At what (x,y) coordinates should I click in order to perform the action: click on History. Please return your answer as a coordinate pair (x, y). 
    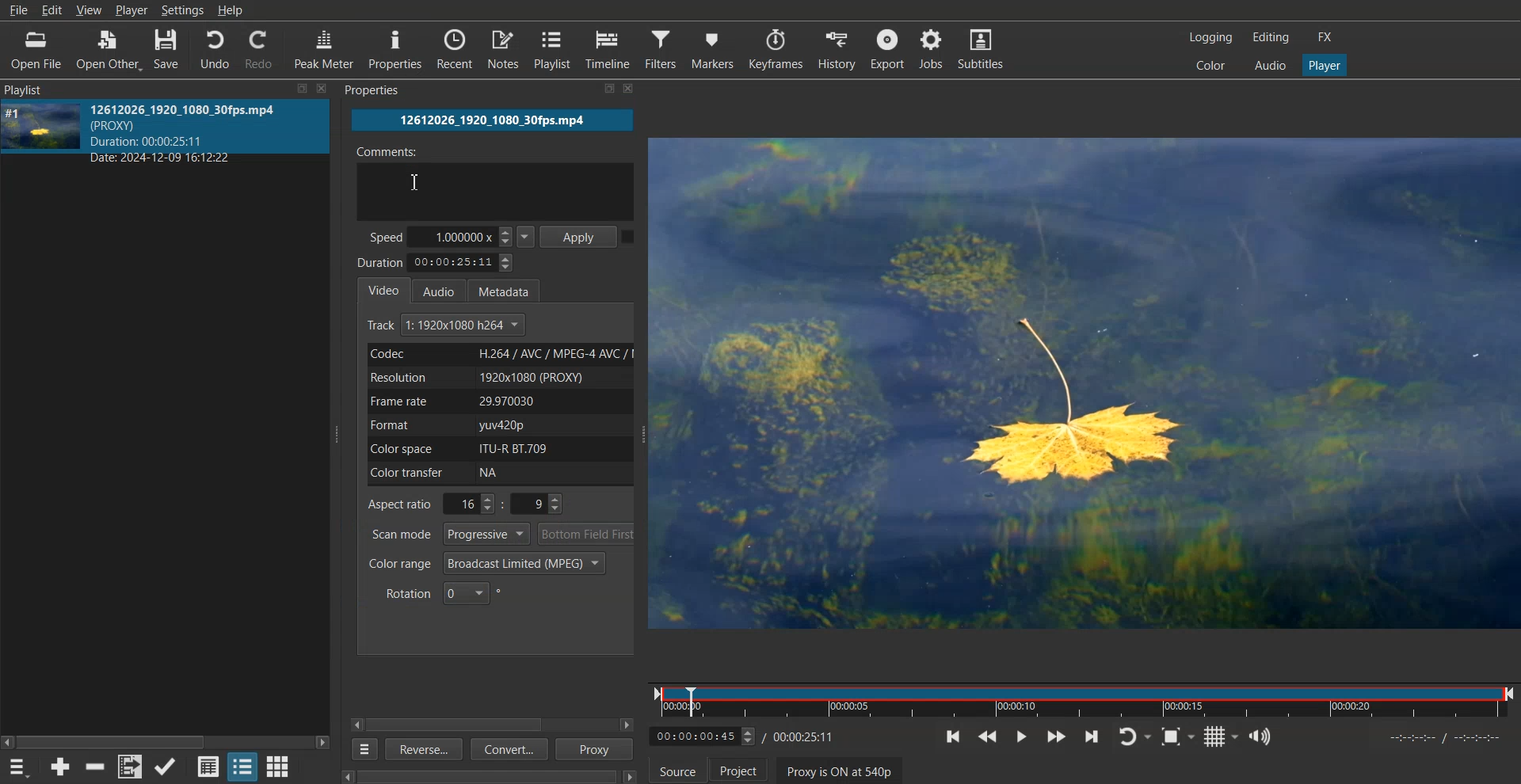
    Looking at the image, I should click on (833, 48).